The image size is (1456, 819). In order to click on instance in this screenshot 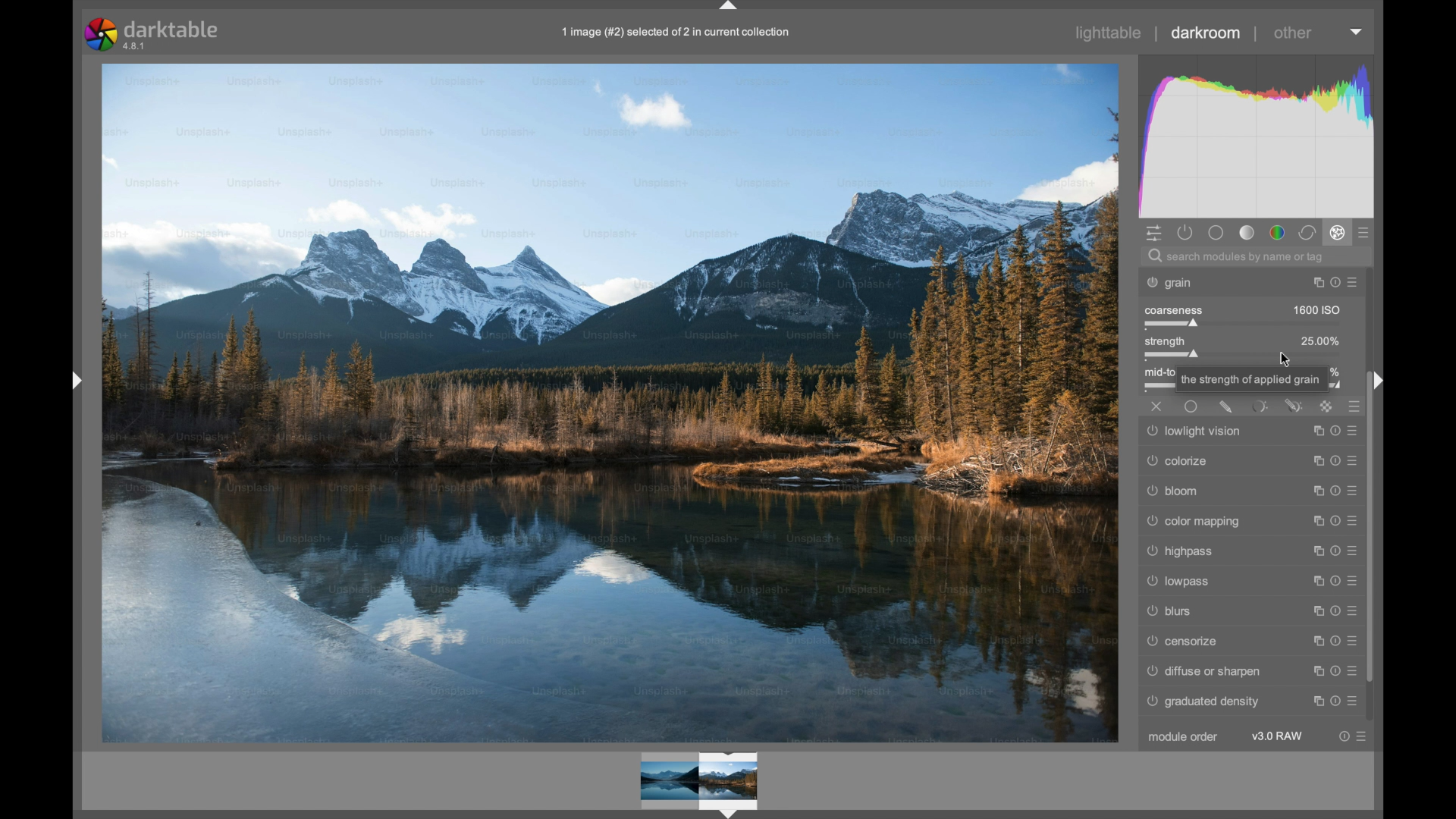, I will do `click(1313, 611)`.